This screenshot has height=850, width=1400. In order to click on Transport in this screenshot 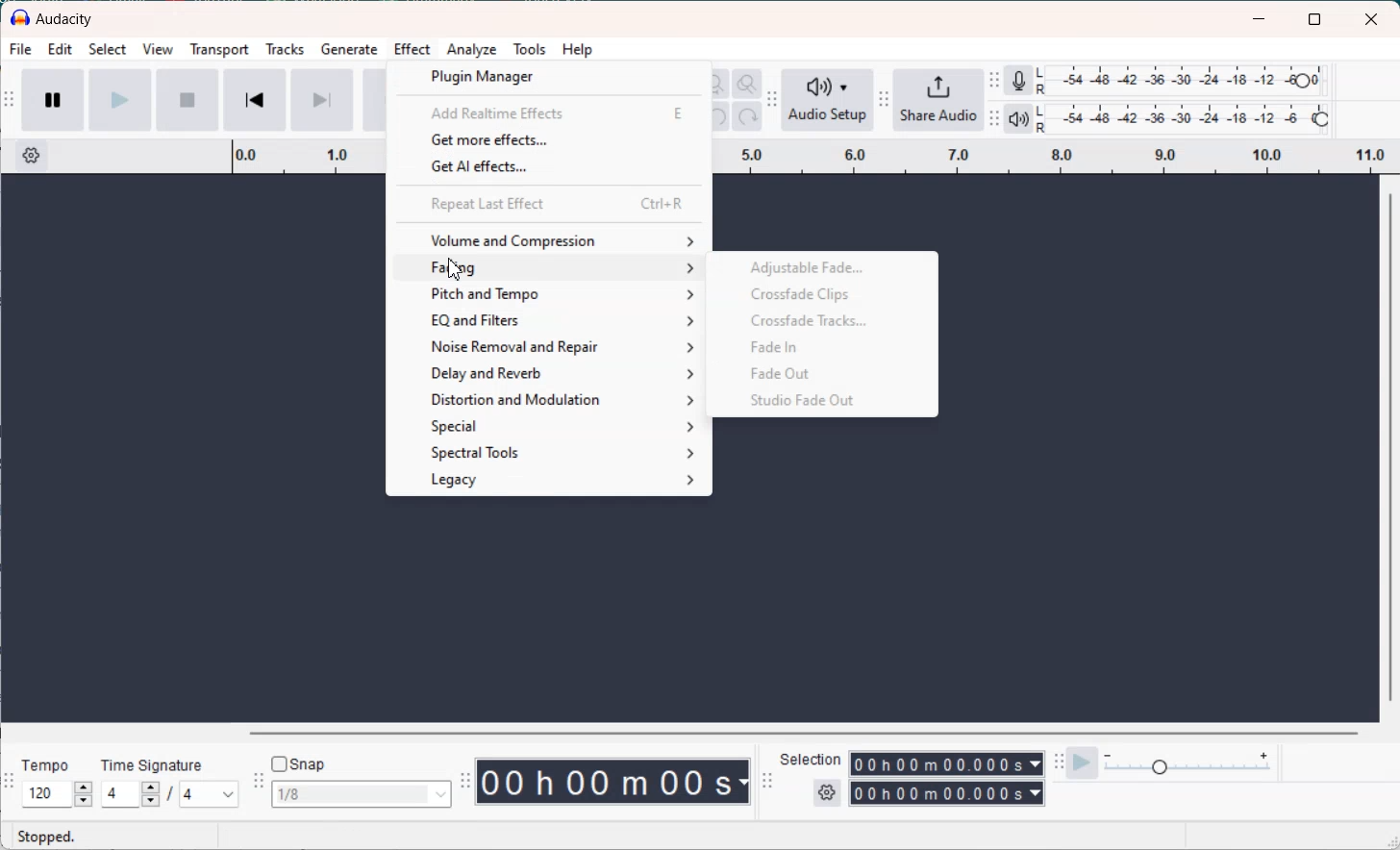, I will do `click(218, 51)`.